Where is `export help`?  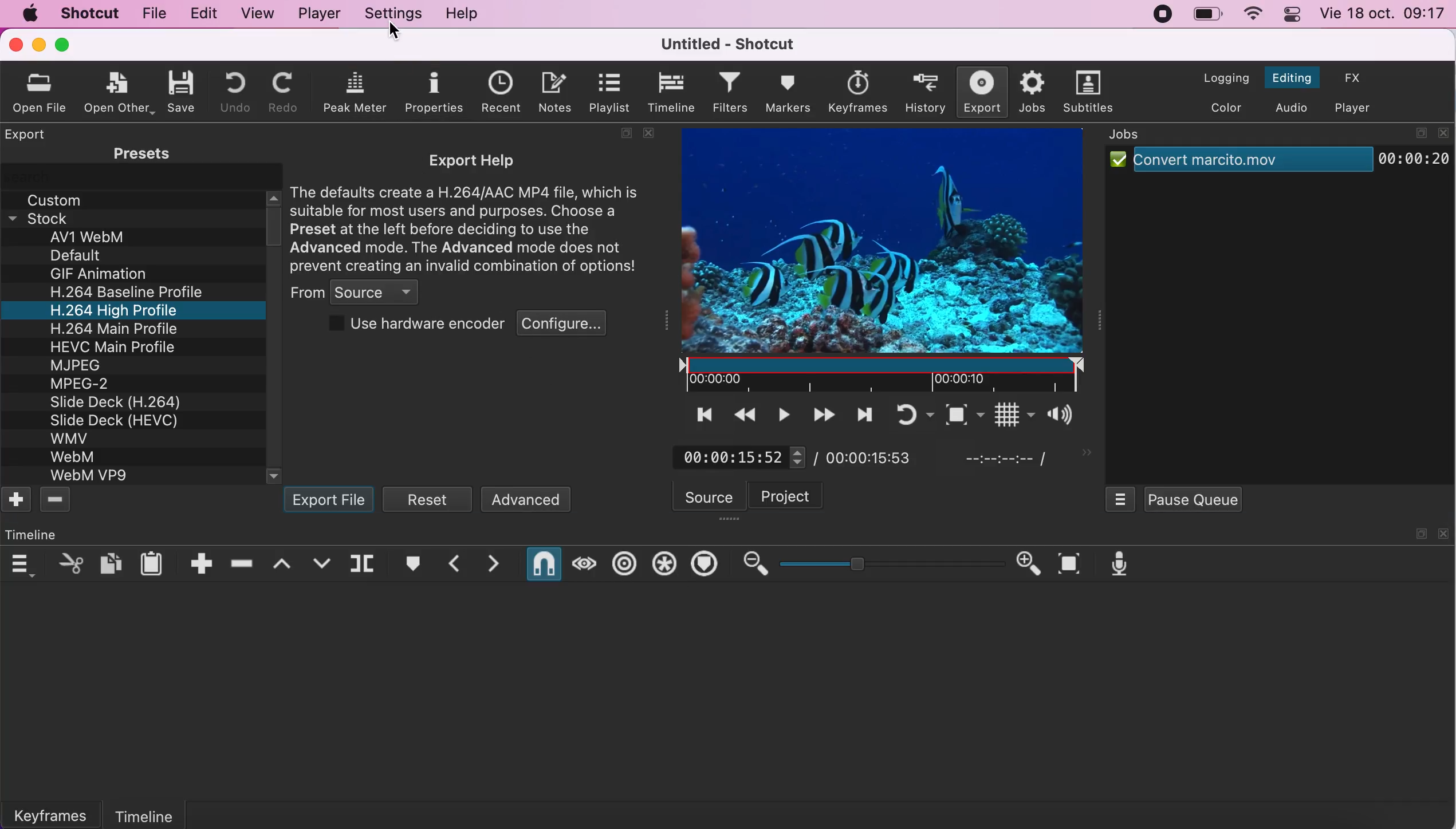 export help is located at coordinates (470, 212).